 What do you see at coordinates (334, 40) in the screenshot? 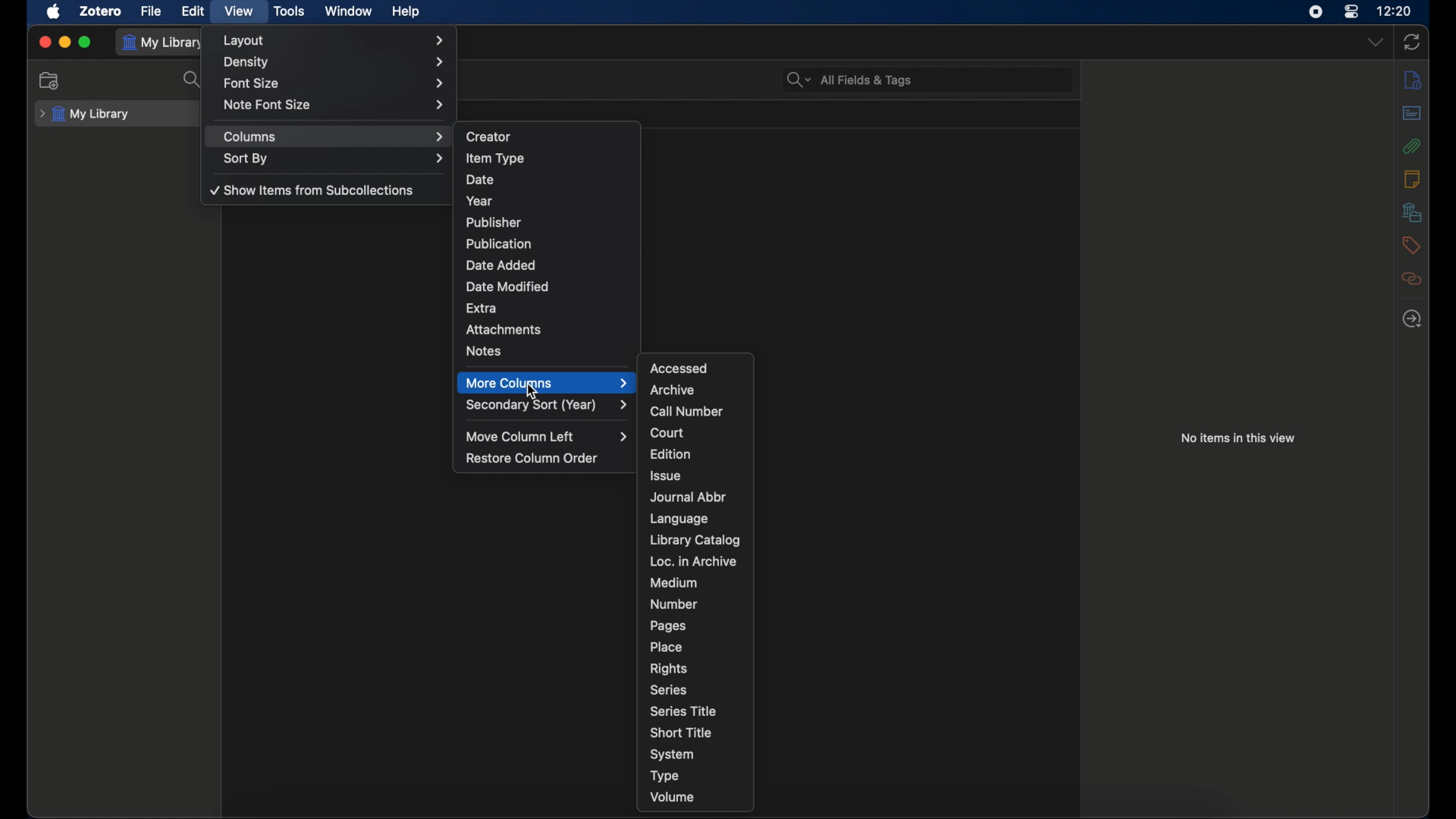
I see `layout` at bounding box center [334, 40].